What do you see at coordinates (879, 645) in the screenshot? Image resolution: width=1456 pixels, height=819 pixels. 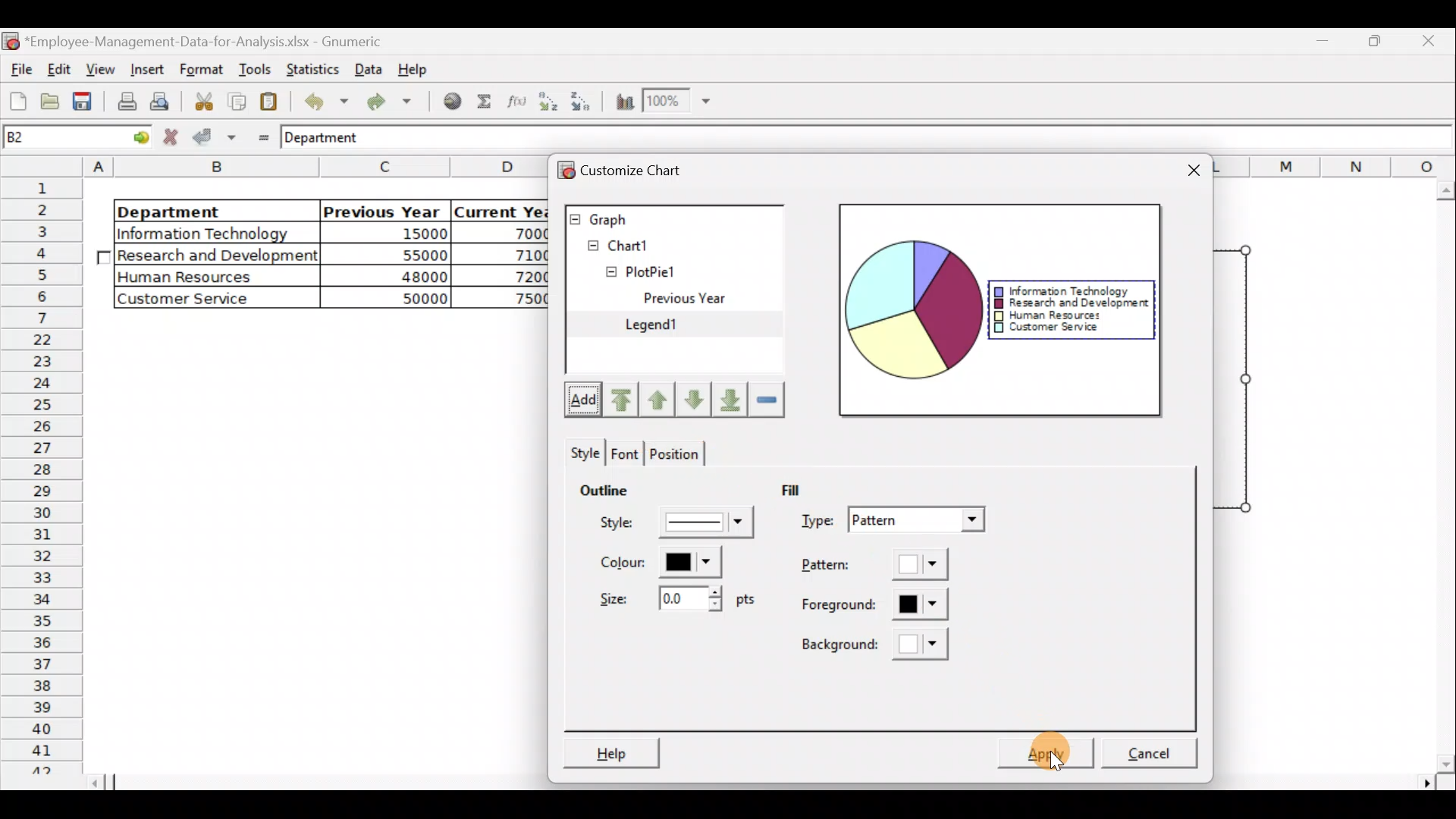 I see `Background` at bounding box center [879, 645].